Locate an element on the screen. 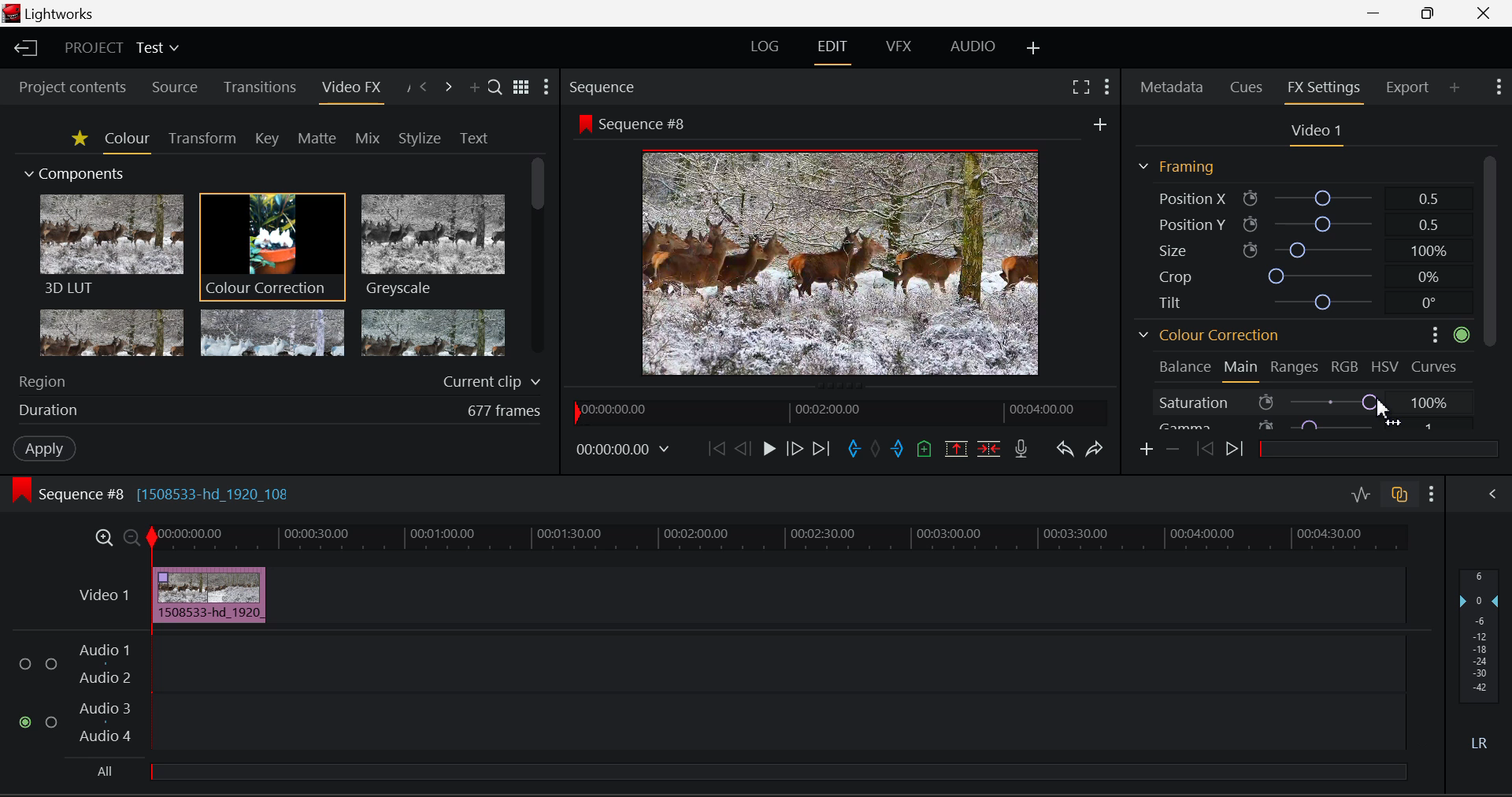 Image resolution: width=1512 pixels, height=797 pixels. Audio 2 is located at coordinates (104, 679).